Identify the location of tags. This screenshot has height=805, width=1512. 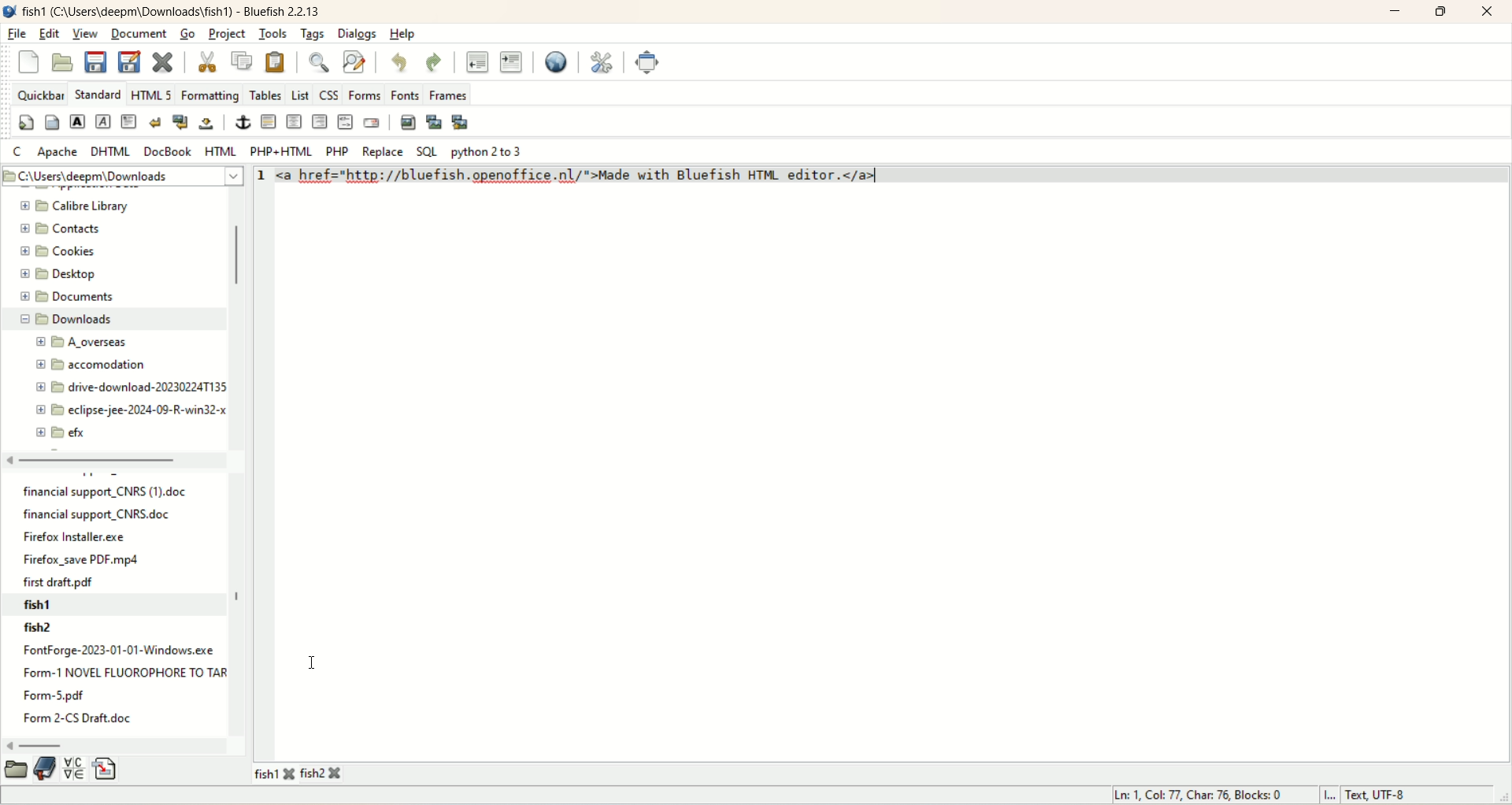
(313, 35).